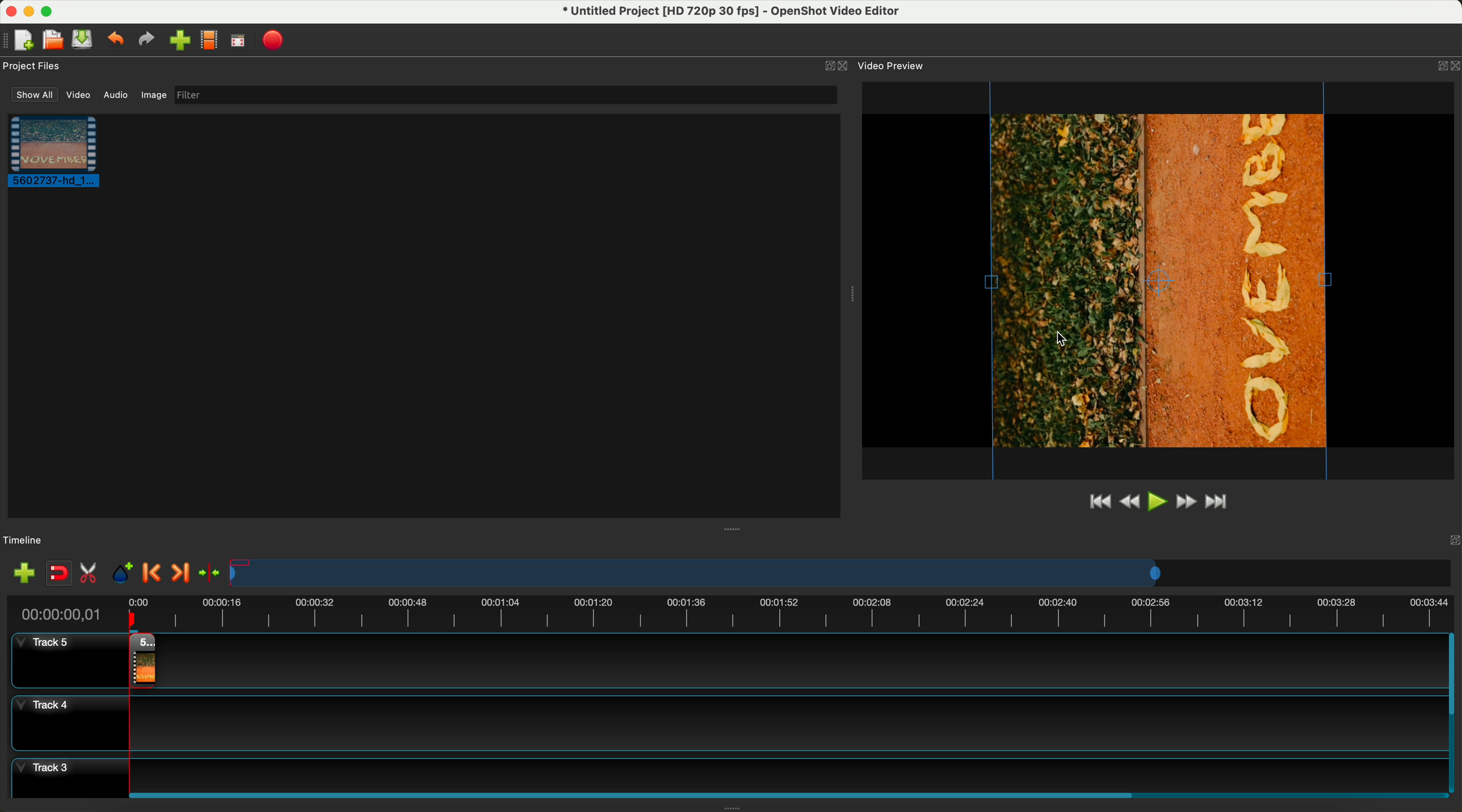 Image resolution: width=1462 pixels, height=812 pixels. I want to click on project files, so click(33, 65).